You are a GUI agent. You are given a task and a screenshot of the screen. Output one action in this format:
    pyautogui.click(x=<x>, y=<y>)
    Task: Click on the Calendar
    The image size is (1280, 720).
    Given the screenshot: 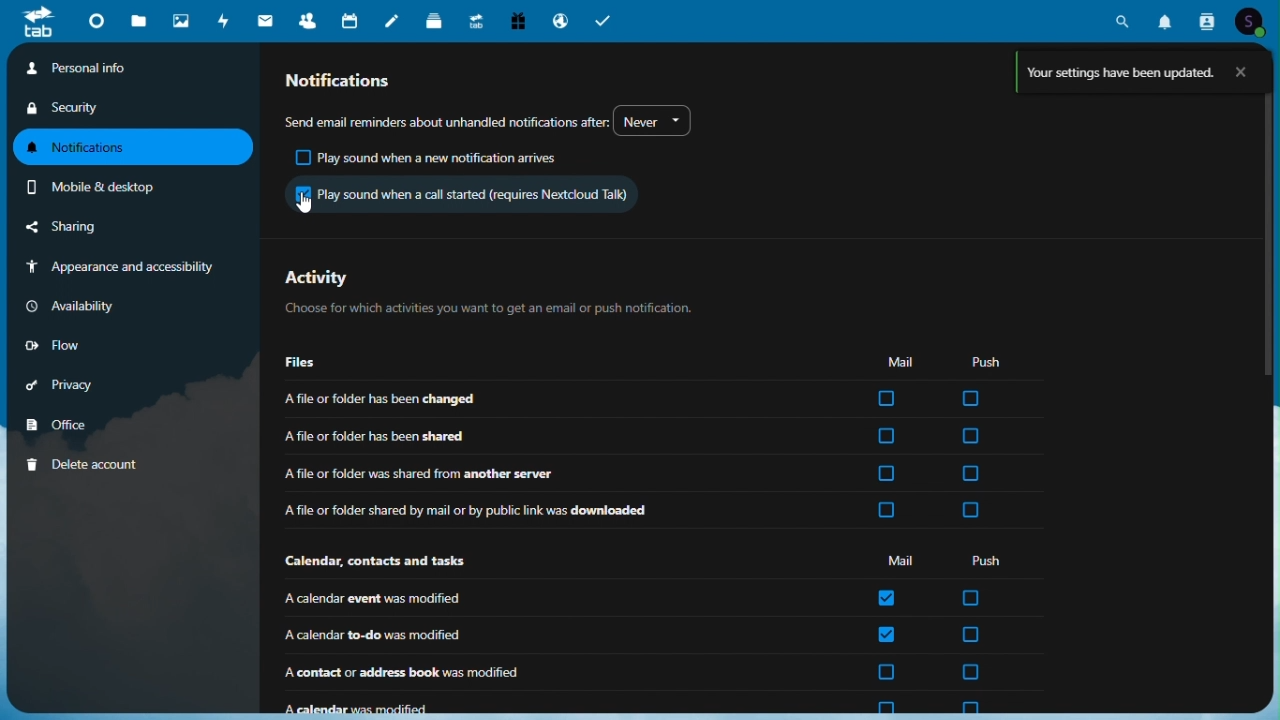 What is the action you would take?
    pyautogui.click(x=353, y=19)
    